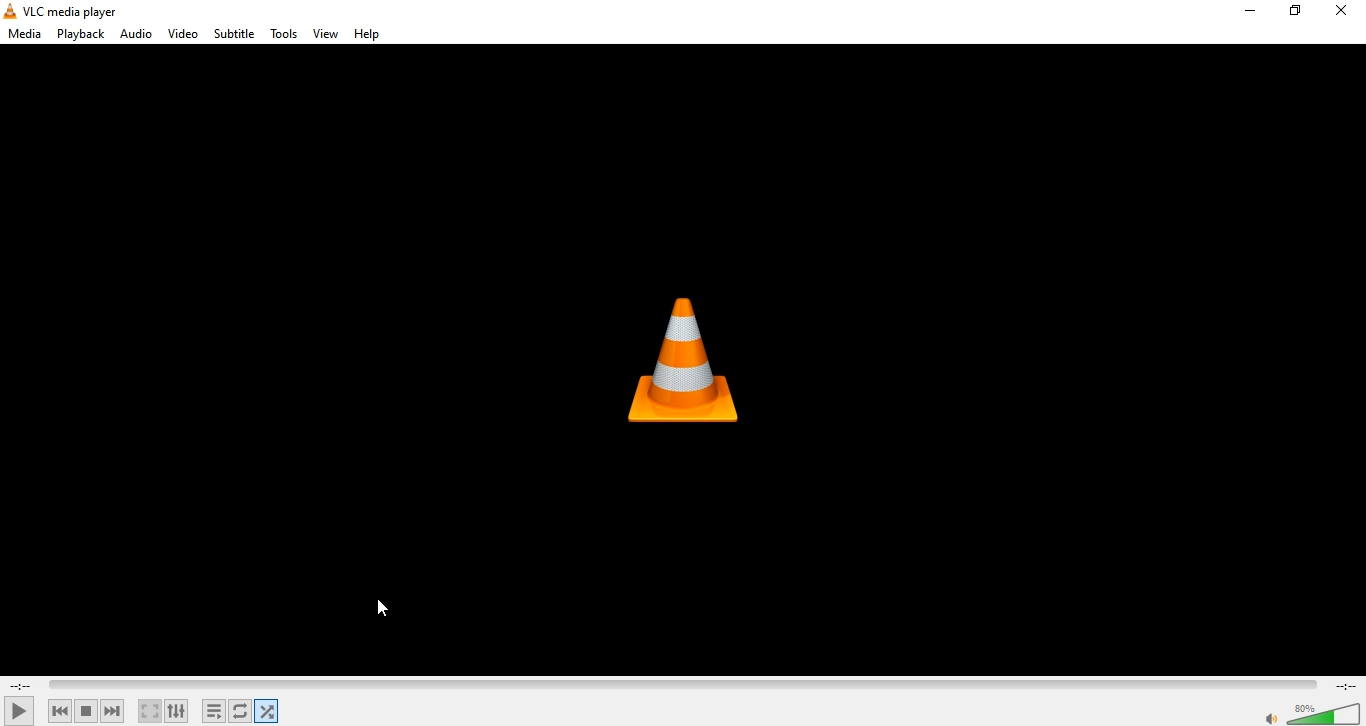 The image size is (1366, 726). I want to click on close, so click(1346, 12).